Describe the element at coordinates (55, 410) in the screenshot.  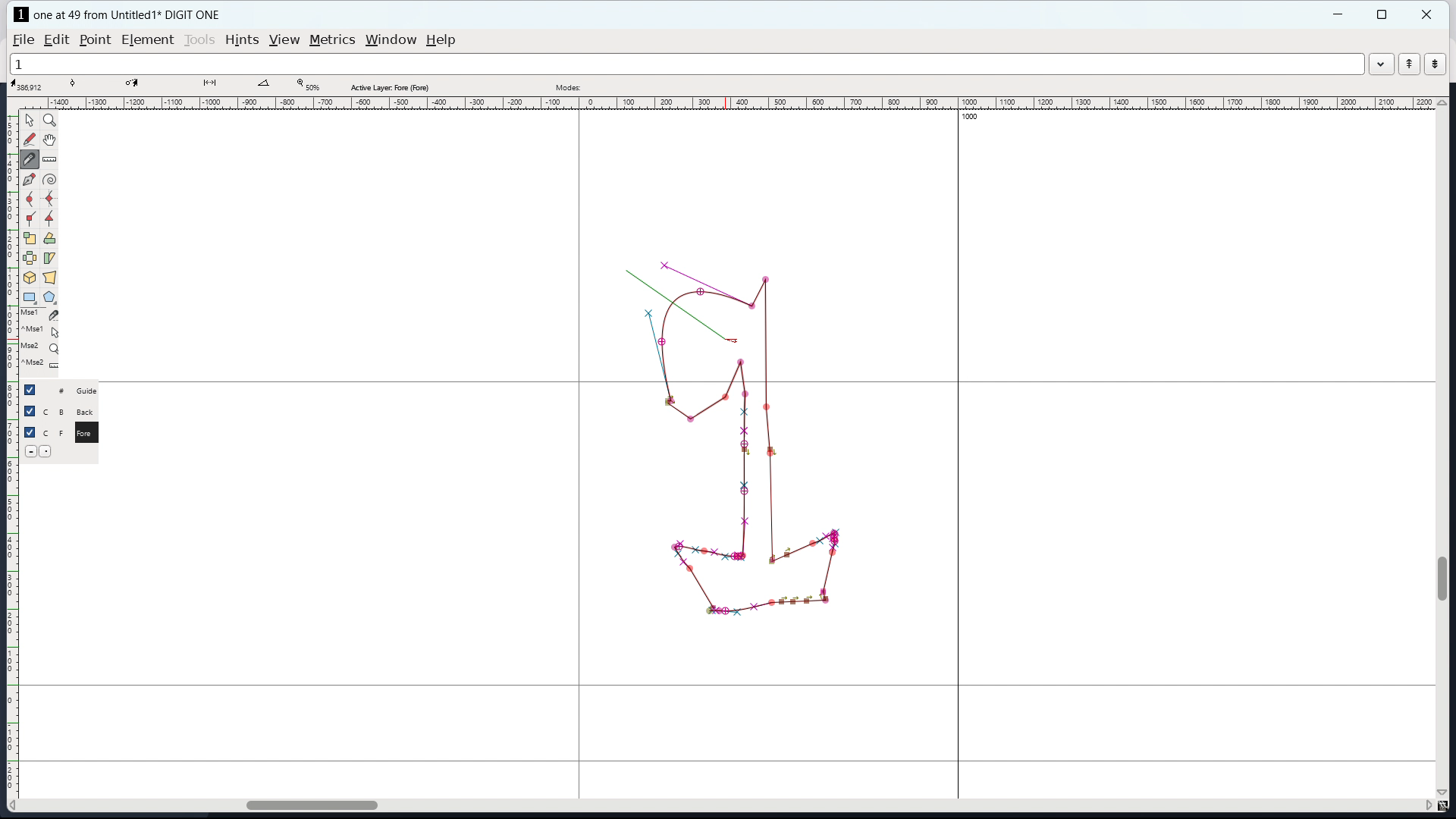
I see `C B` at that location.